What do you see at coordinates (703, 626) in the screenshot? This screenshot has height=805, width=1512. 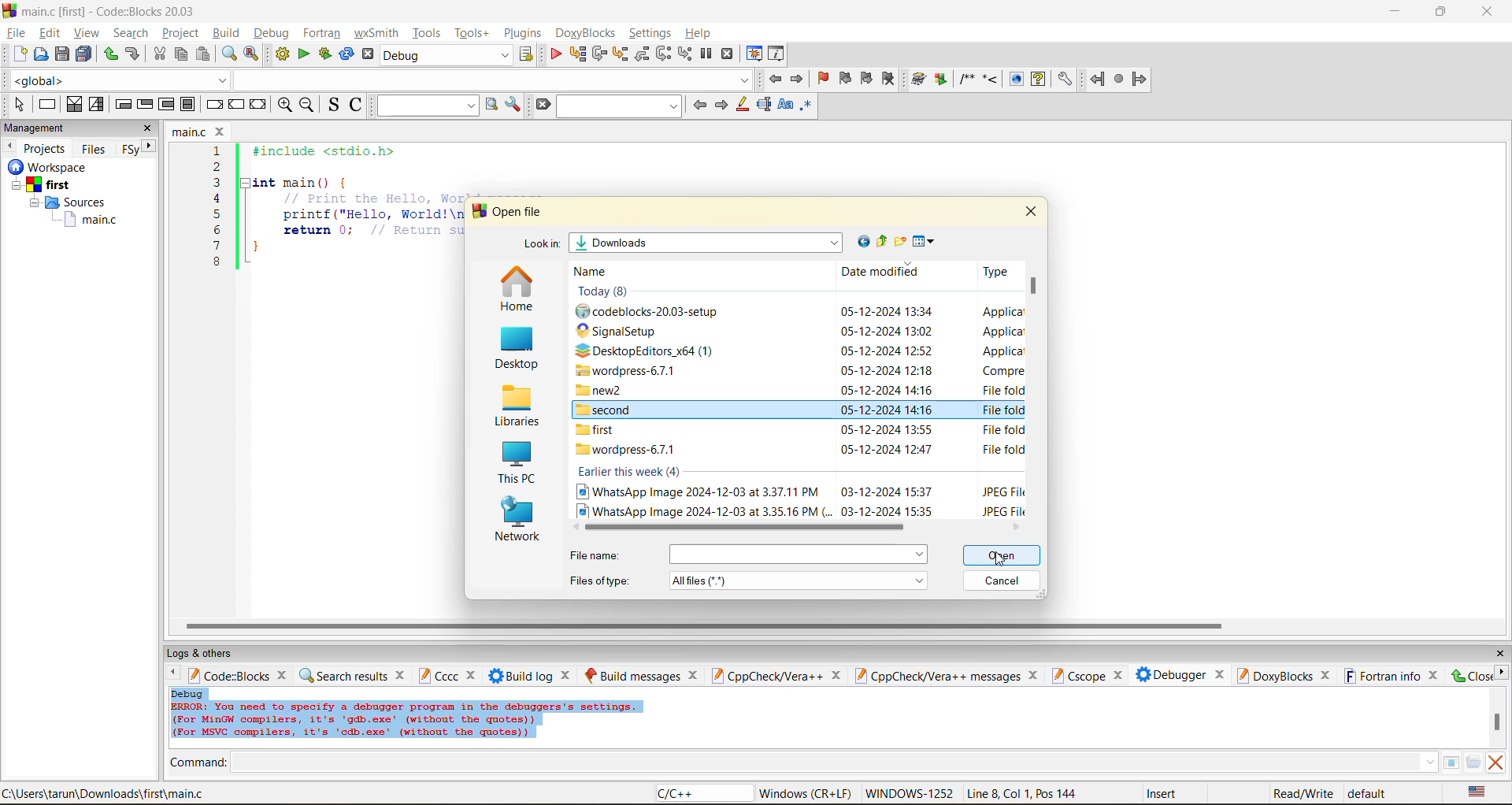 I see `horizontal scroll bar` at bounding box center [703, 626].